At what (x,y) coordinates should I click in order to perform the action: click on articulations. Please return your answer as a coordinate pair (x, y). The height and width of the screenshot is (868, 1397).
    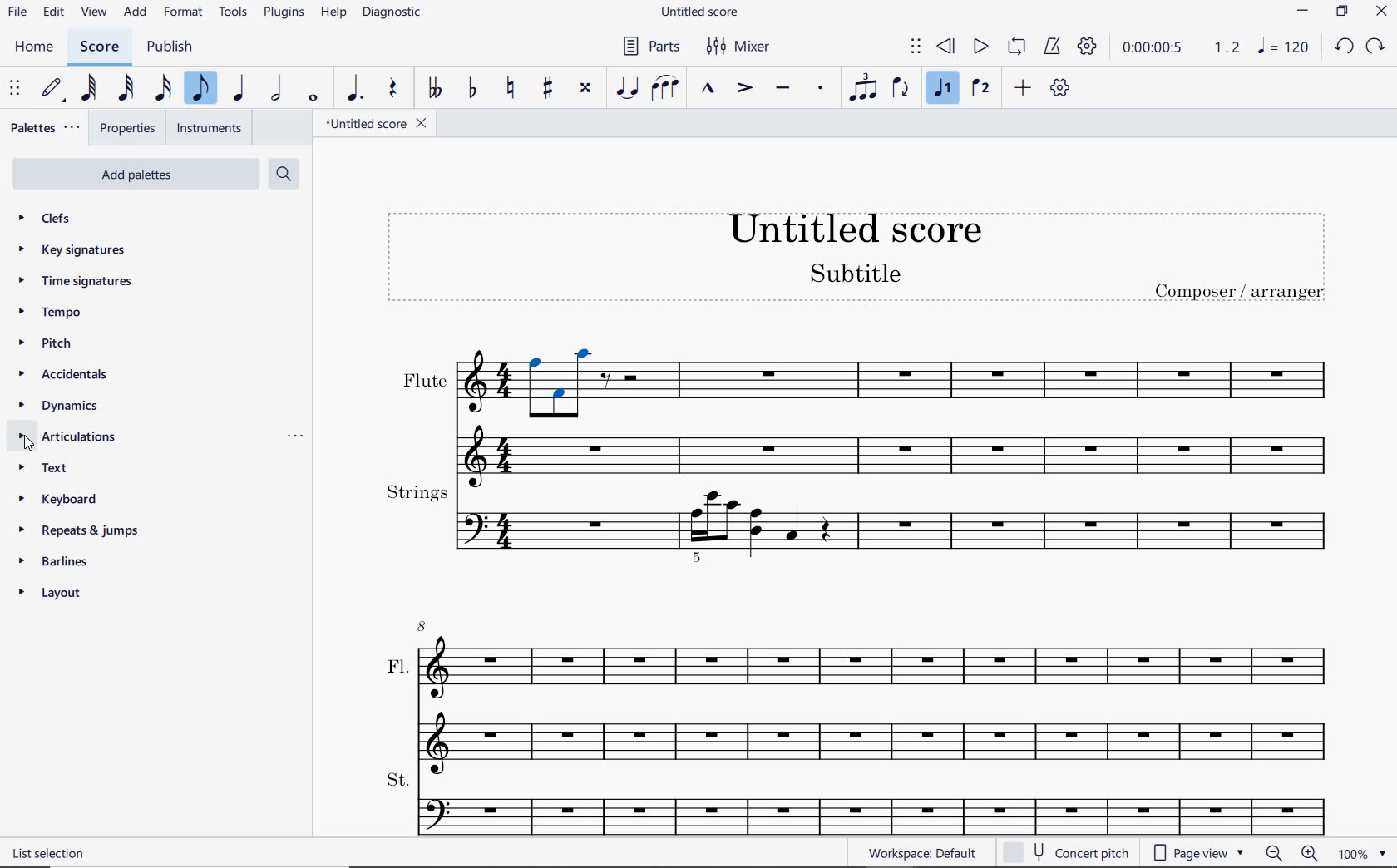
    Looking at the image, I should click on (67, 437).